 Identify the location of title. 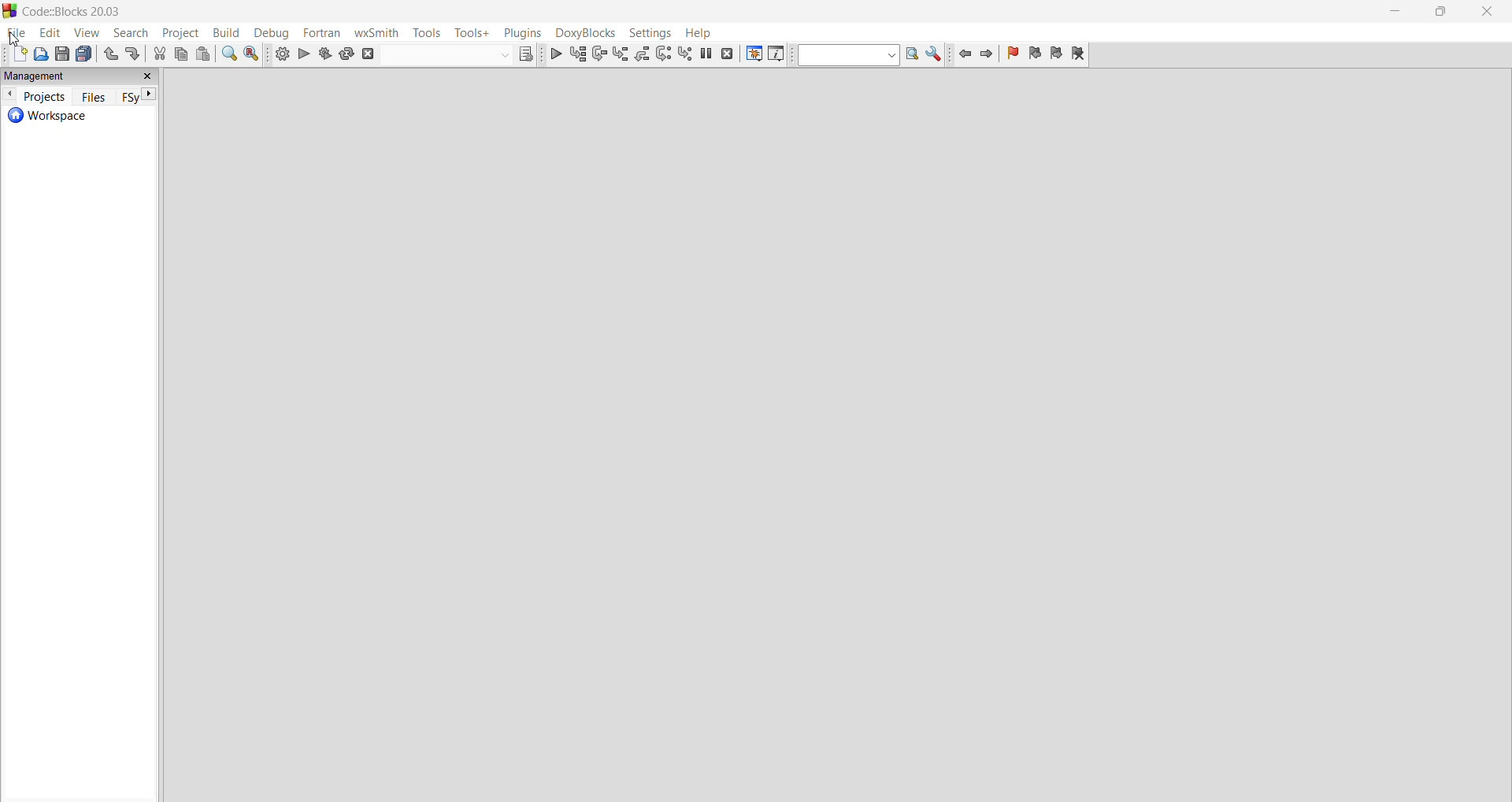
(73, 12).